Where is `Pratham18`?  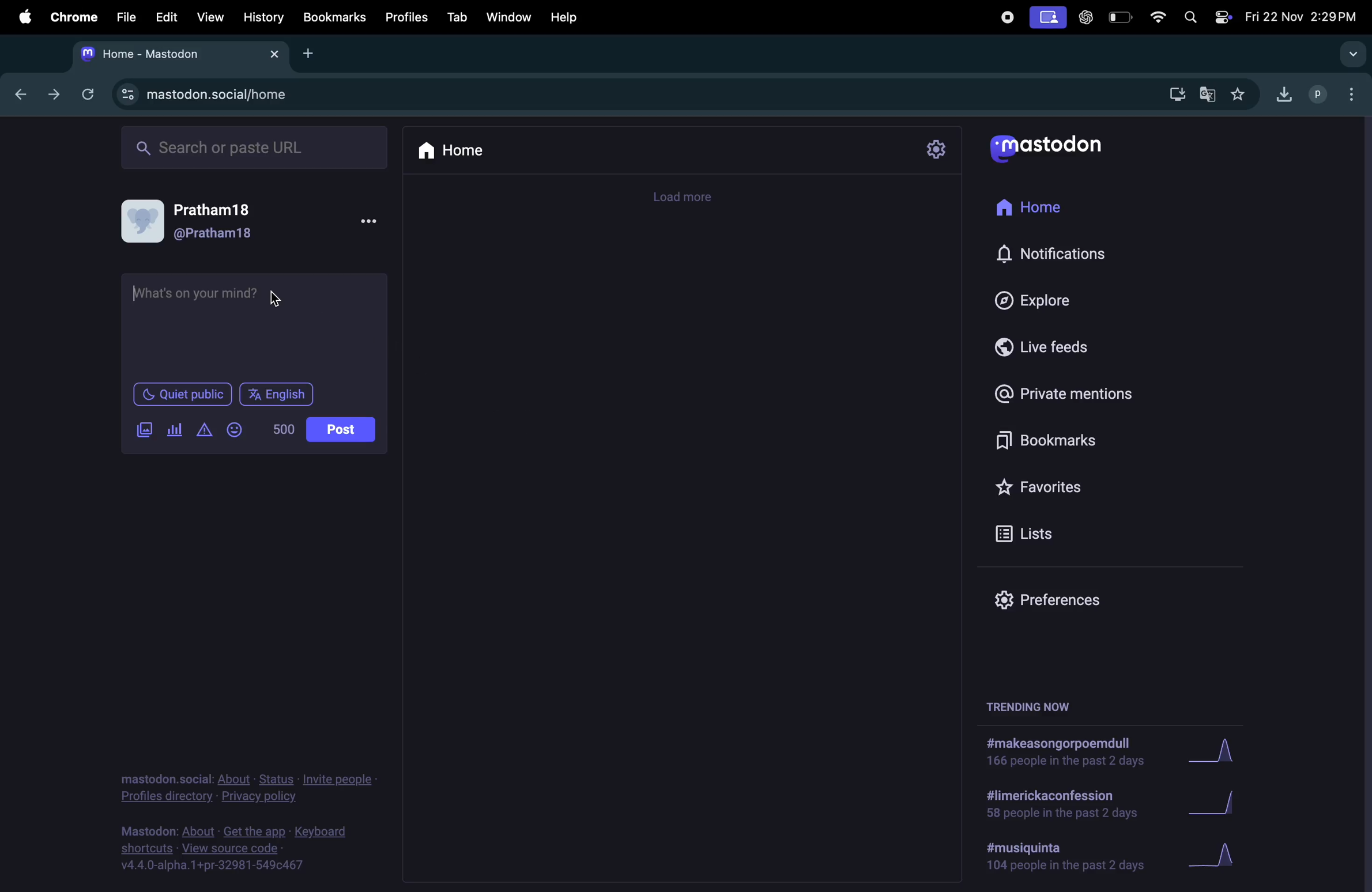 Pratham18 is located at coordinates (217, 210).